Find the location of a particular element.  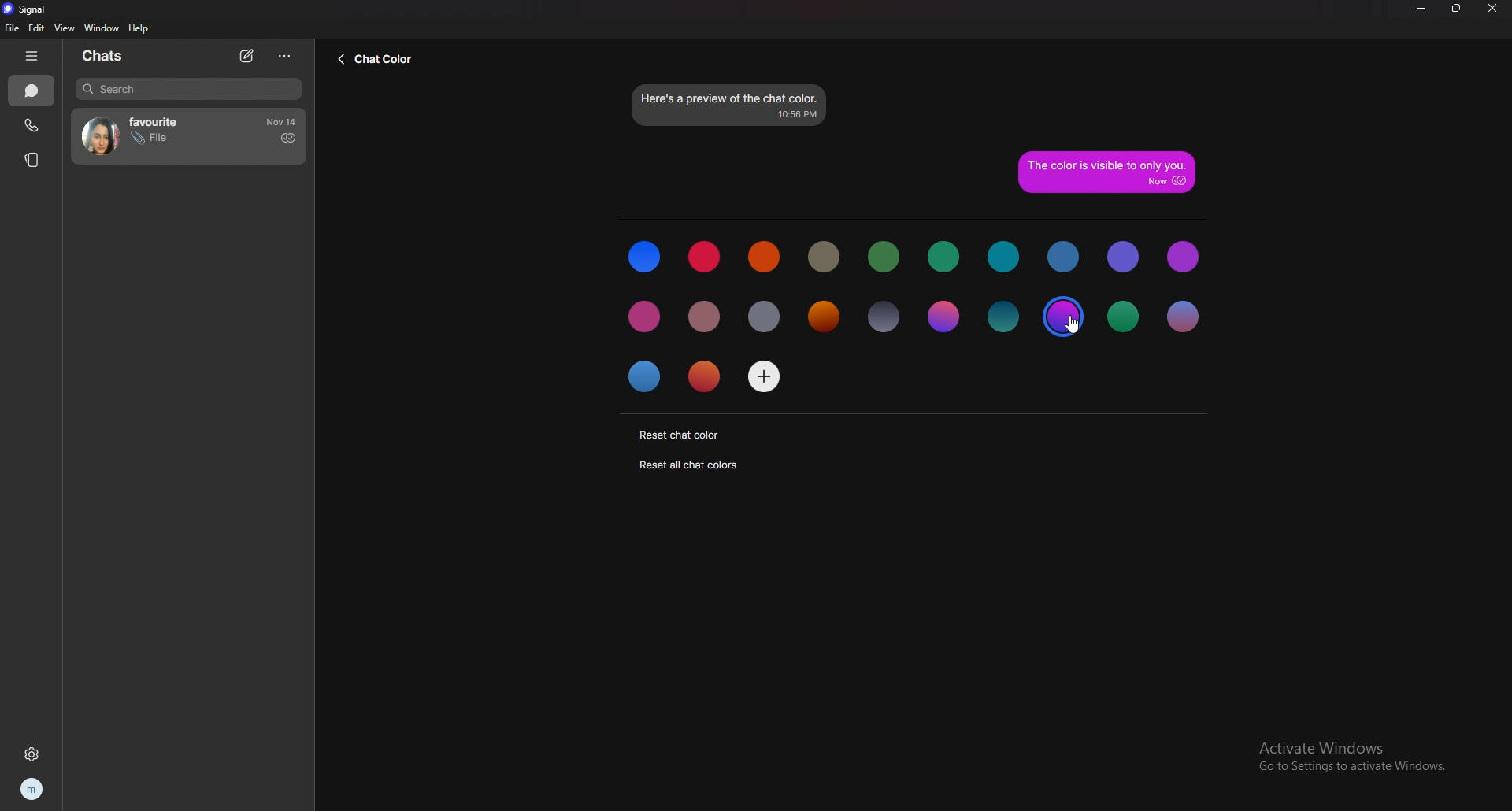

color is located at coordinates (1181, 317).